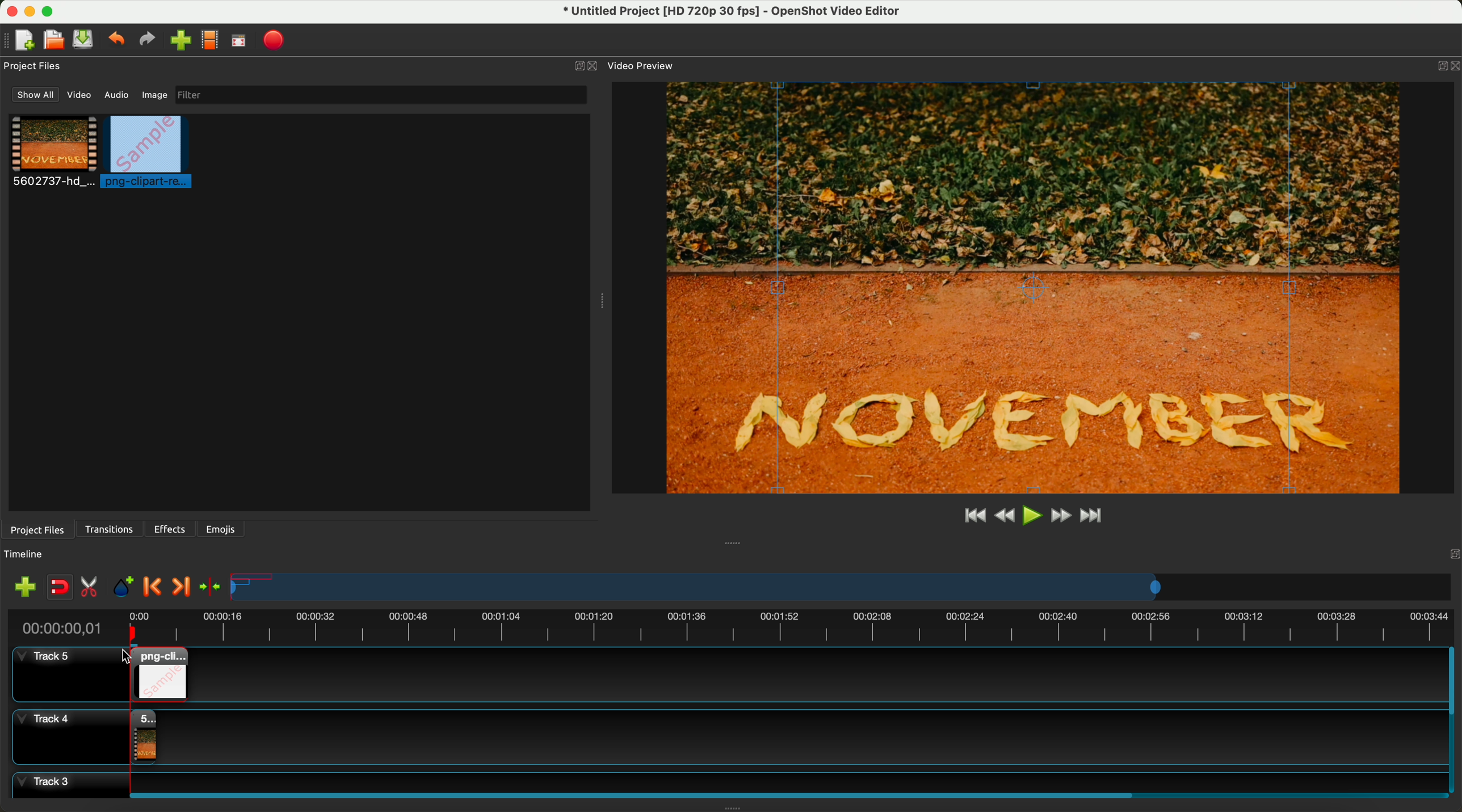  Describe the element at coordinates (842, 588) in the screenshot. I see `timeline` at that location.